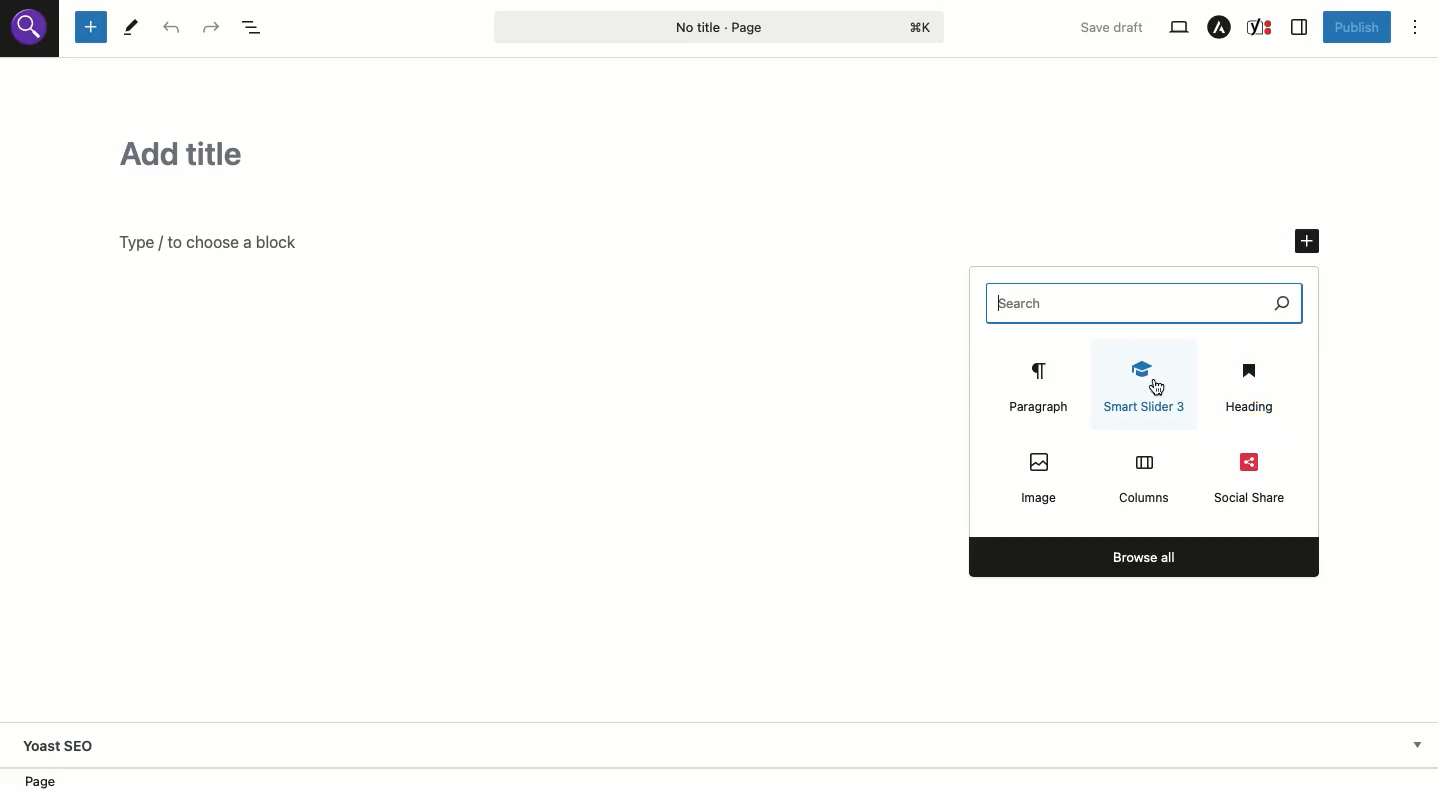 Image resolution: width=1438 pixels, height=792 pixels. Describe the element at coordinates (31, 34) in the screenshot. I see `search` at that location.